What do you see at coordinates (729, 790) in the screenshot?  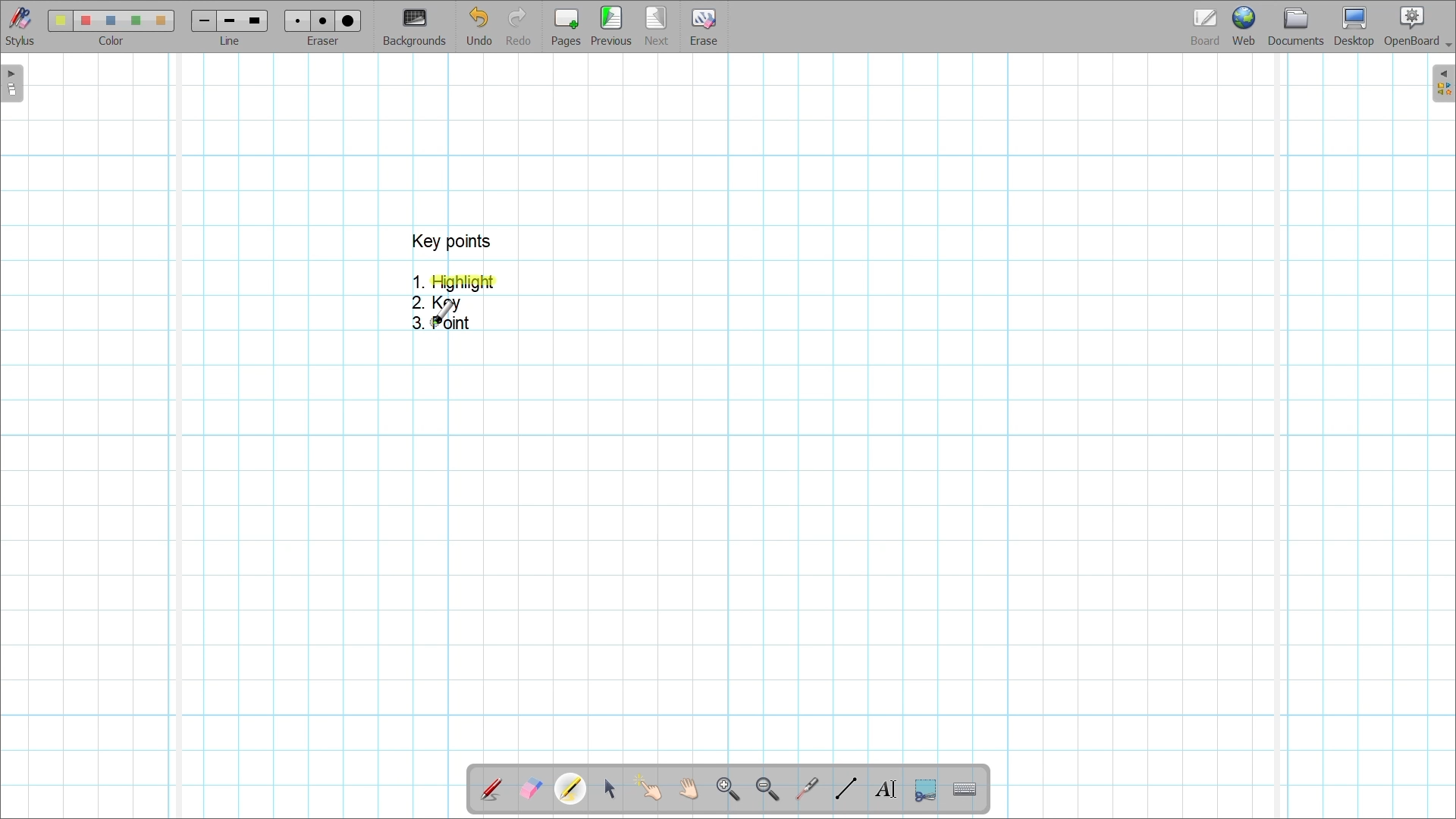 I see `Zoom in` at bounding box center [729, 790].